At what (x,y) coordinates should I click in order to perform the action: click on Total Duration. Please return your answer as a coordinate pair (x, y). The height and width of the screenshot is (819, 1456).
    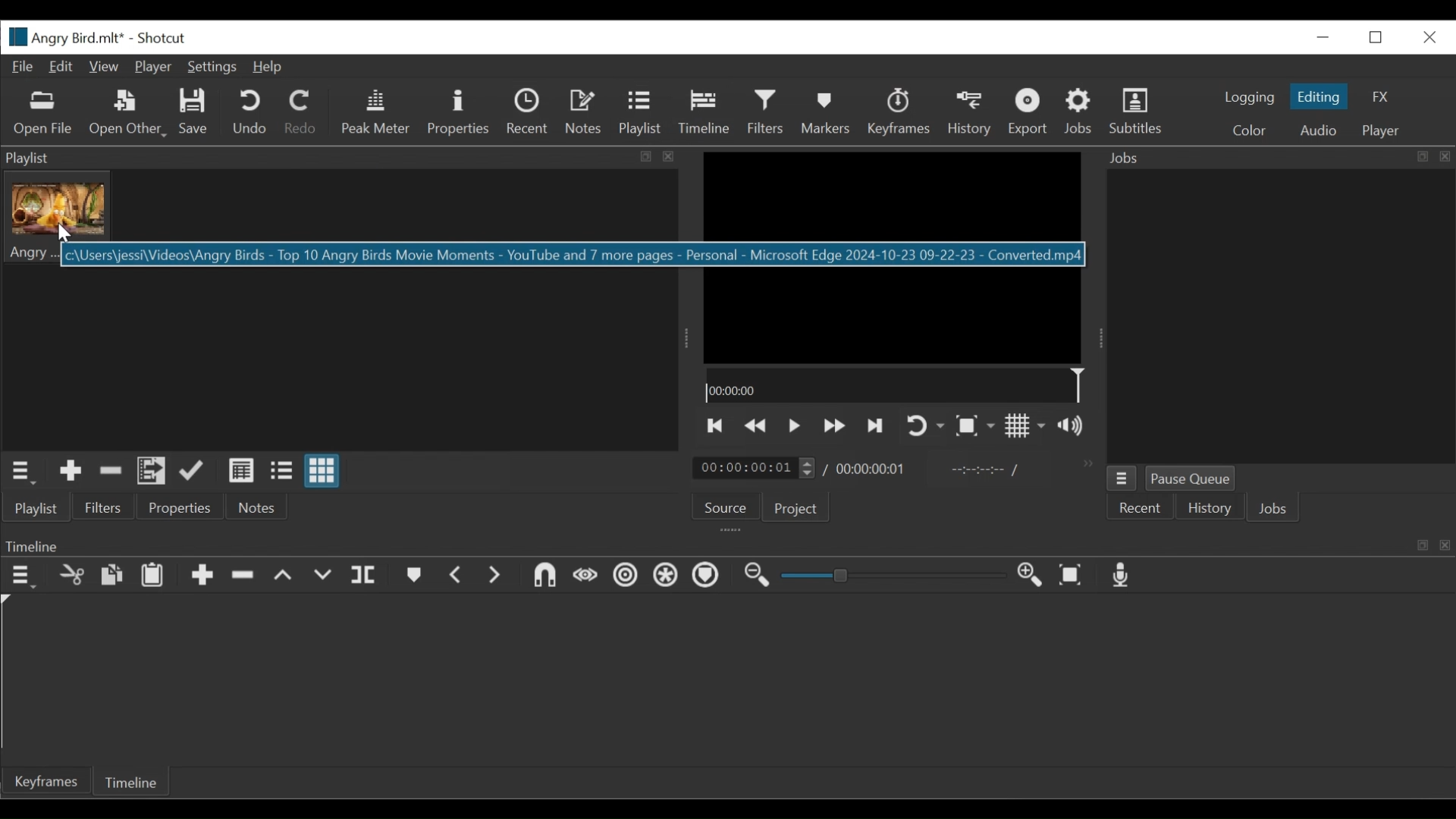
    Looking at the image, I should click on (874, 470).